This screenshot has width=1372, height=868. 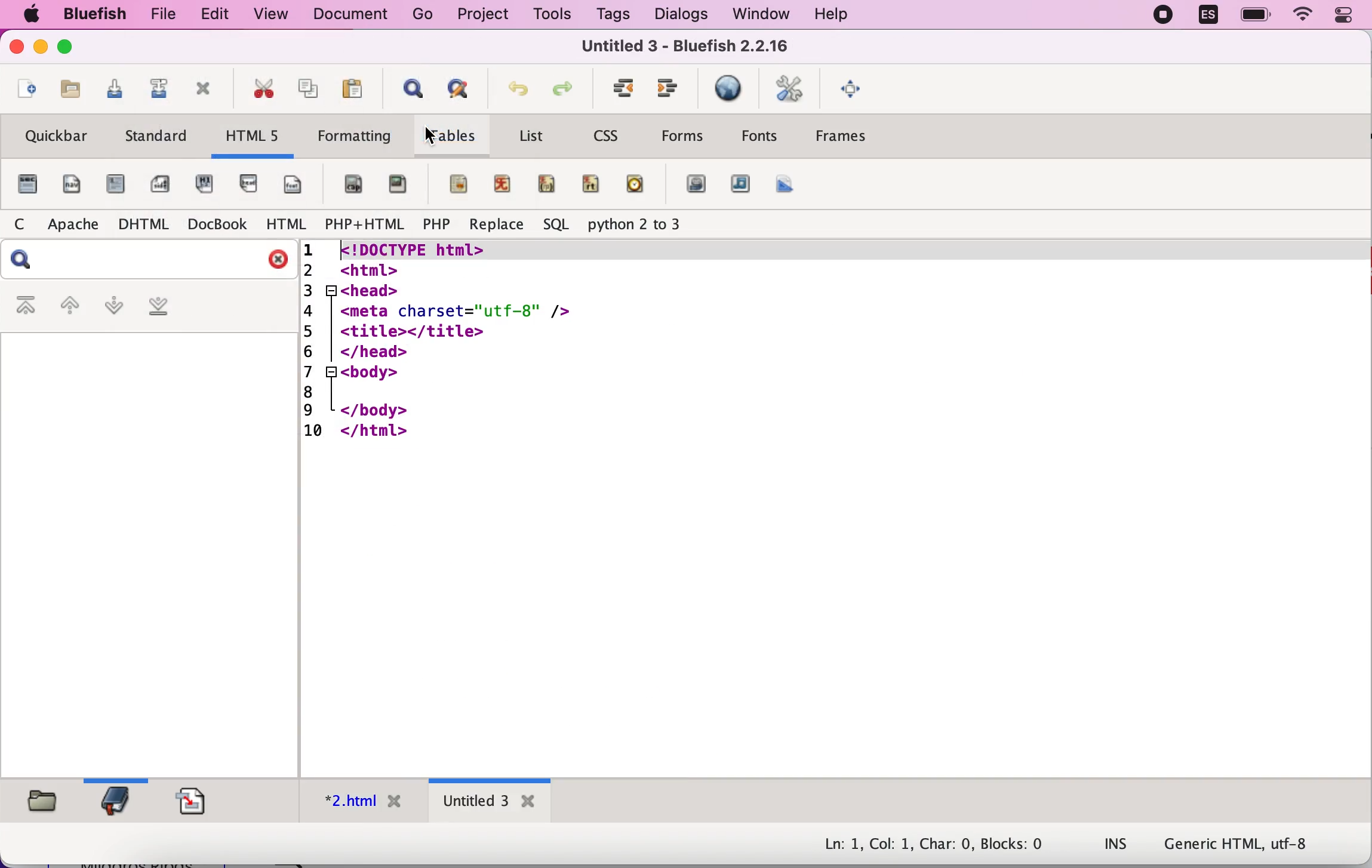 I want to click on untitled tab, so click(x=488, y=800).